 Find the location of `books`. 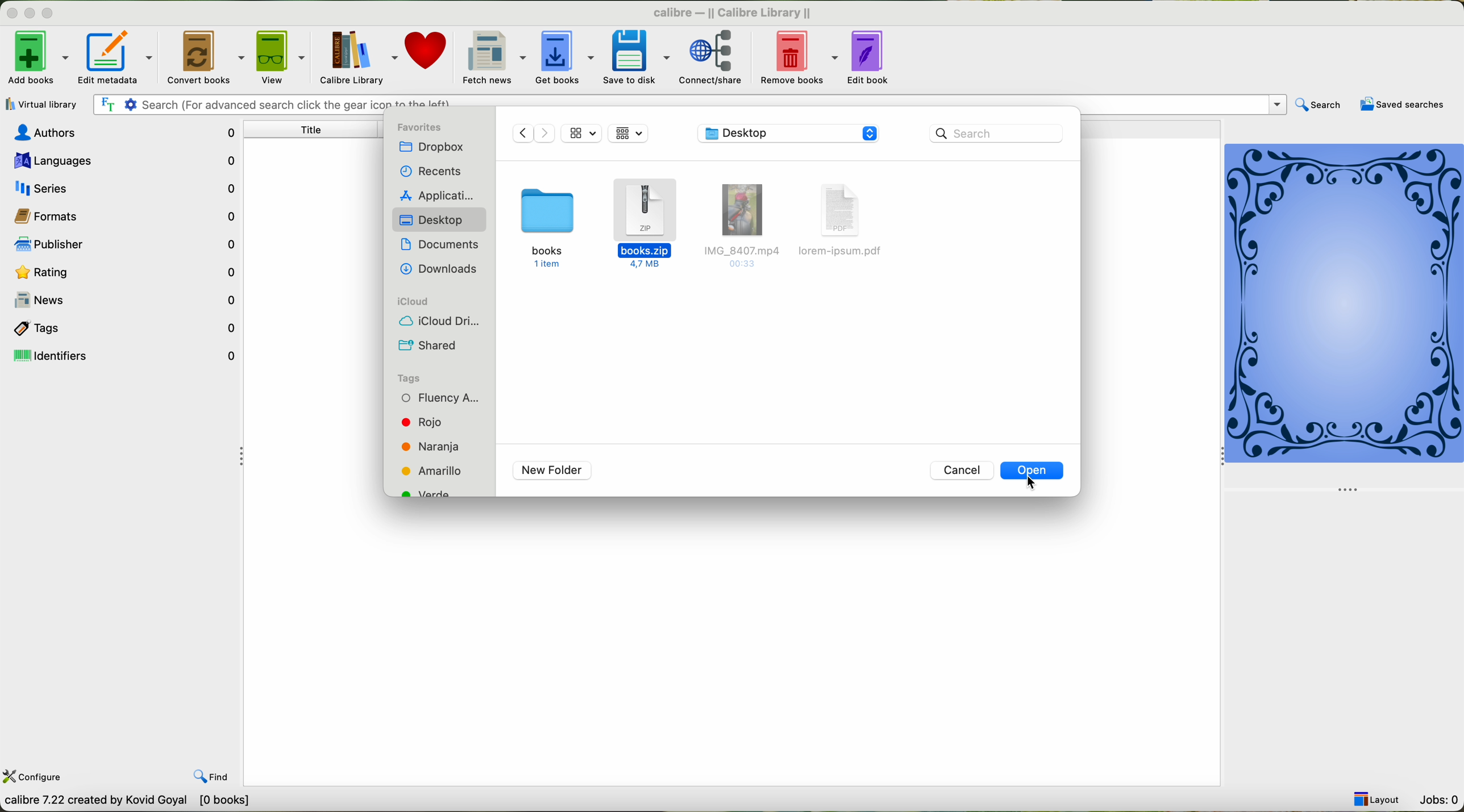

books is located at coordinates (546, 229).